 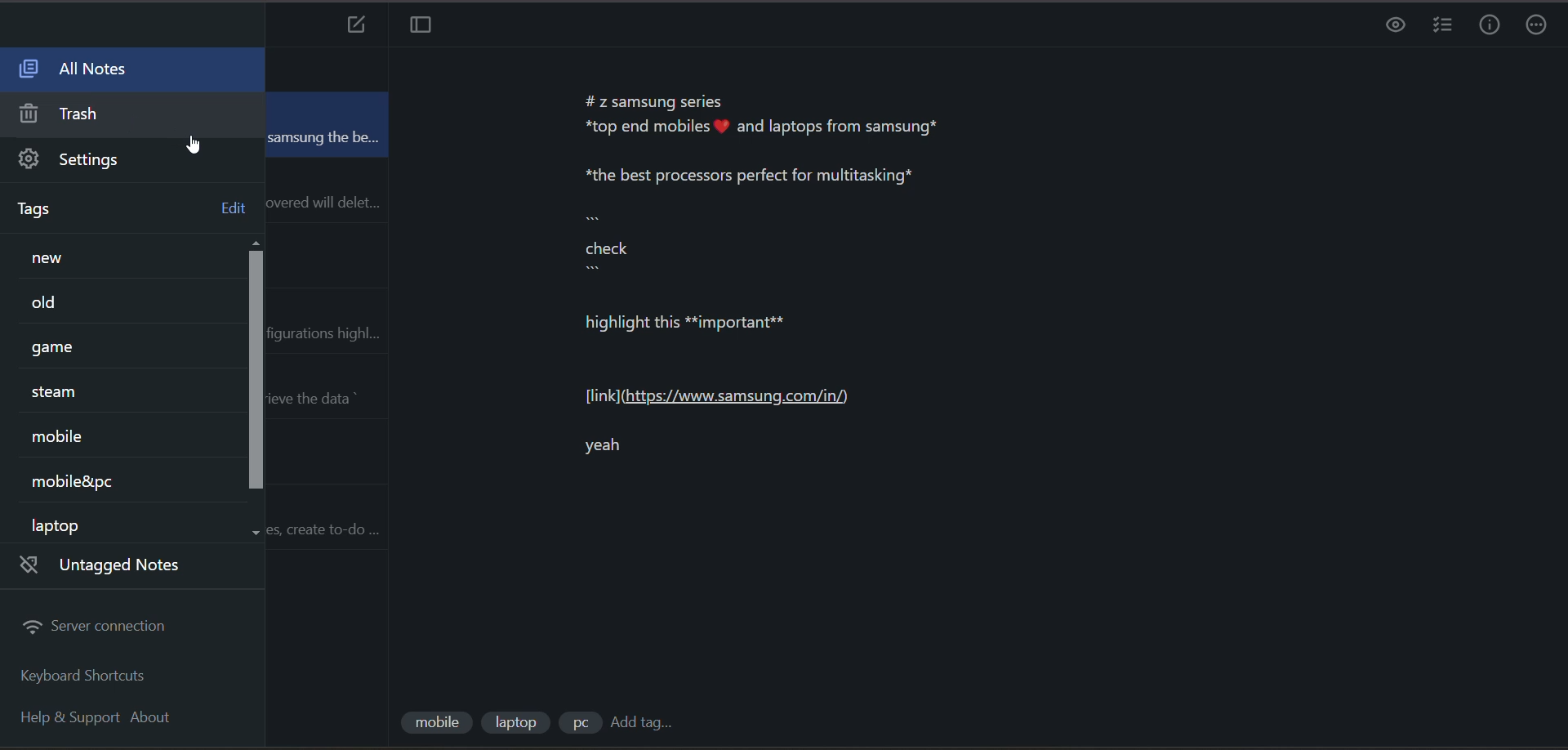 What do you see at coordinates (354, 27) in the screenshot?
I see `add new note` at bounding box center [354, 27].